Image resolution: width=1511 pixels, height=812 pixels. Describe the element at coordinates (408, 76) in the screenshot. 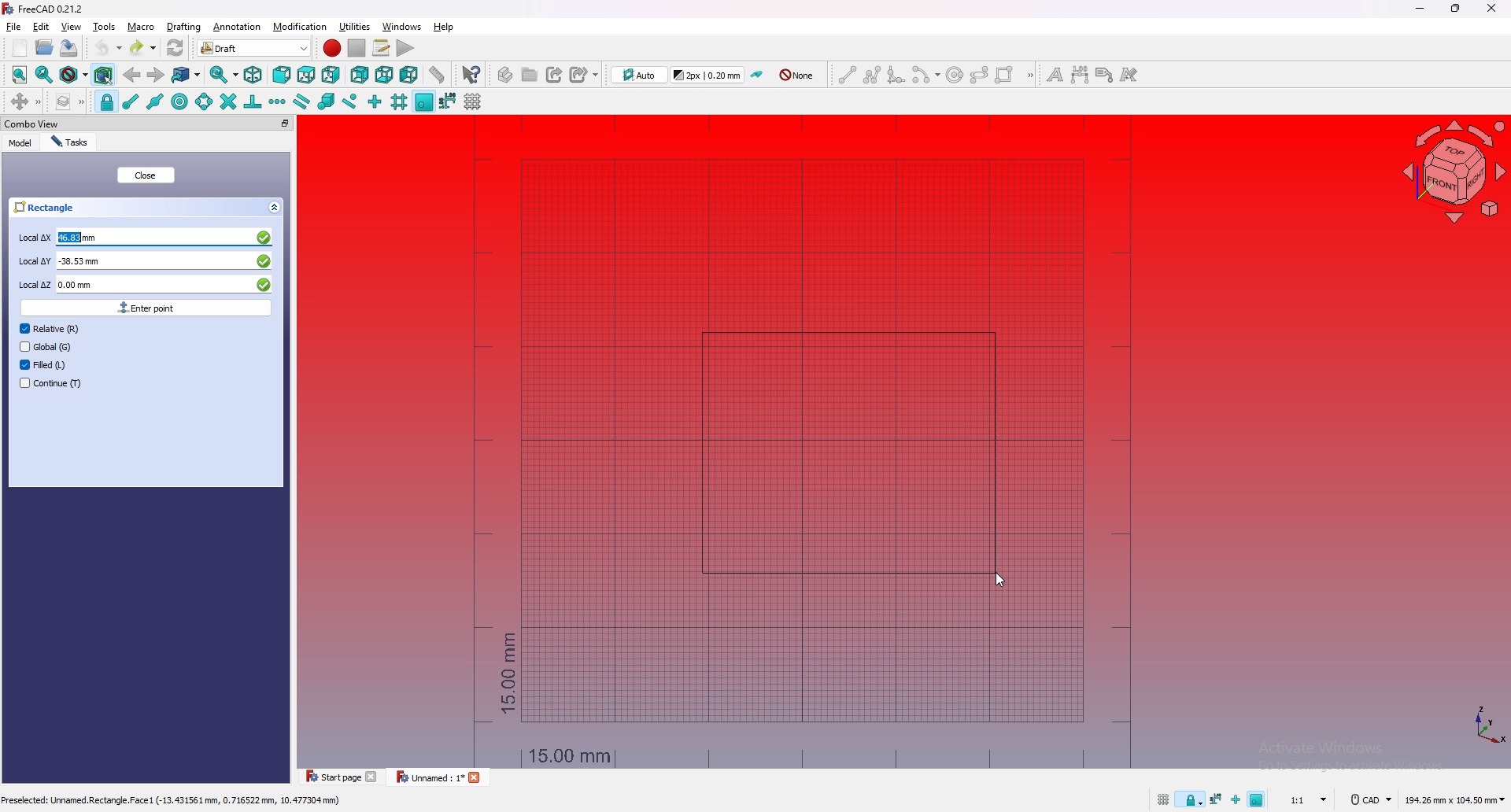

I see `left` at that location.